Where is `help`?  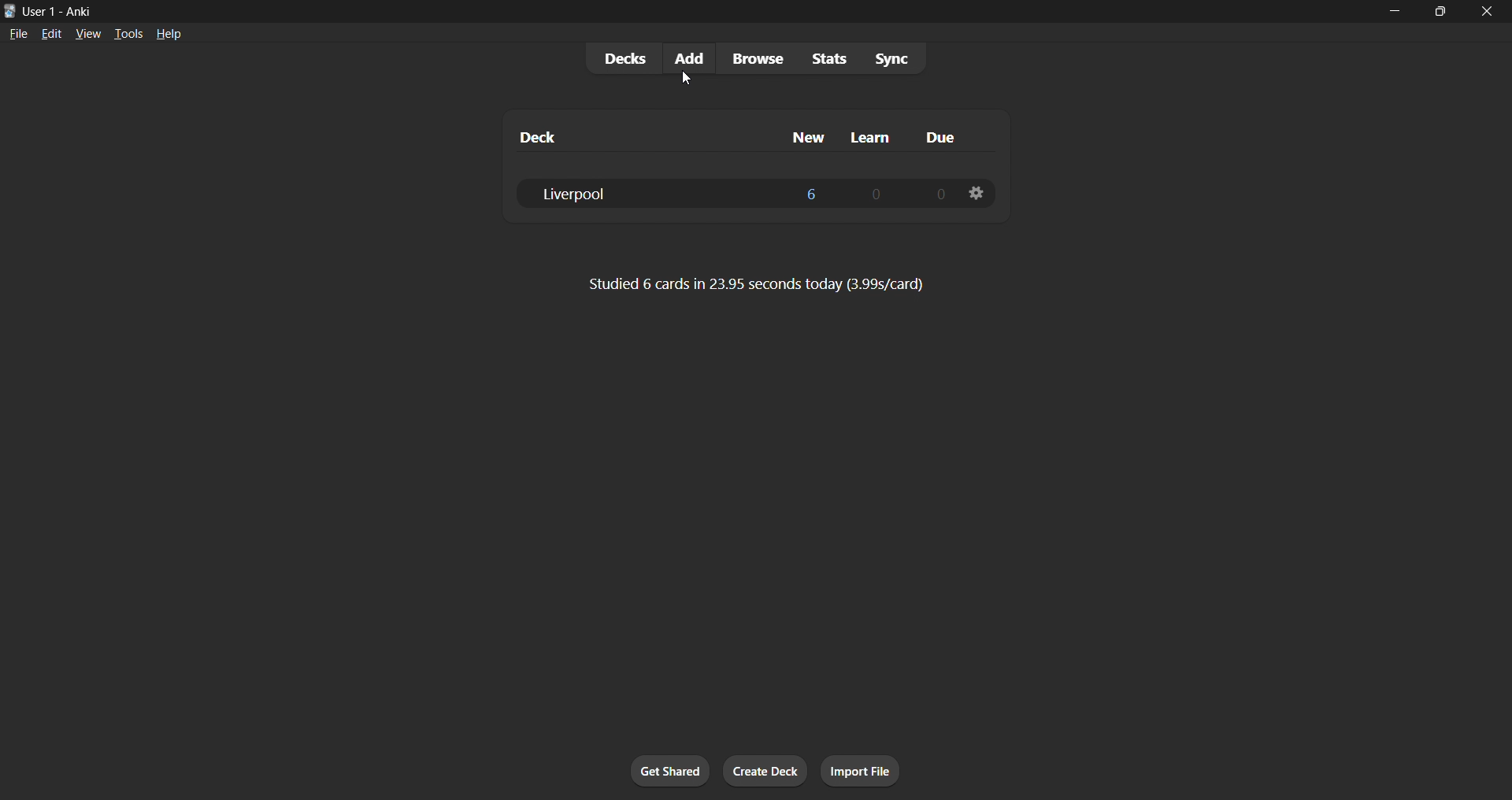 help is located at coordinates (169, 34).